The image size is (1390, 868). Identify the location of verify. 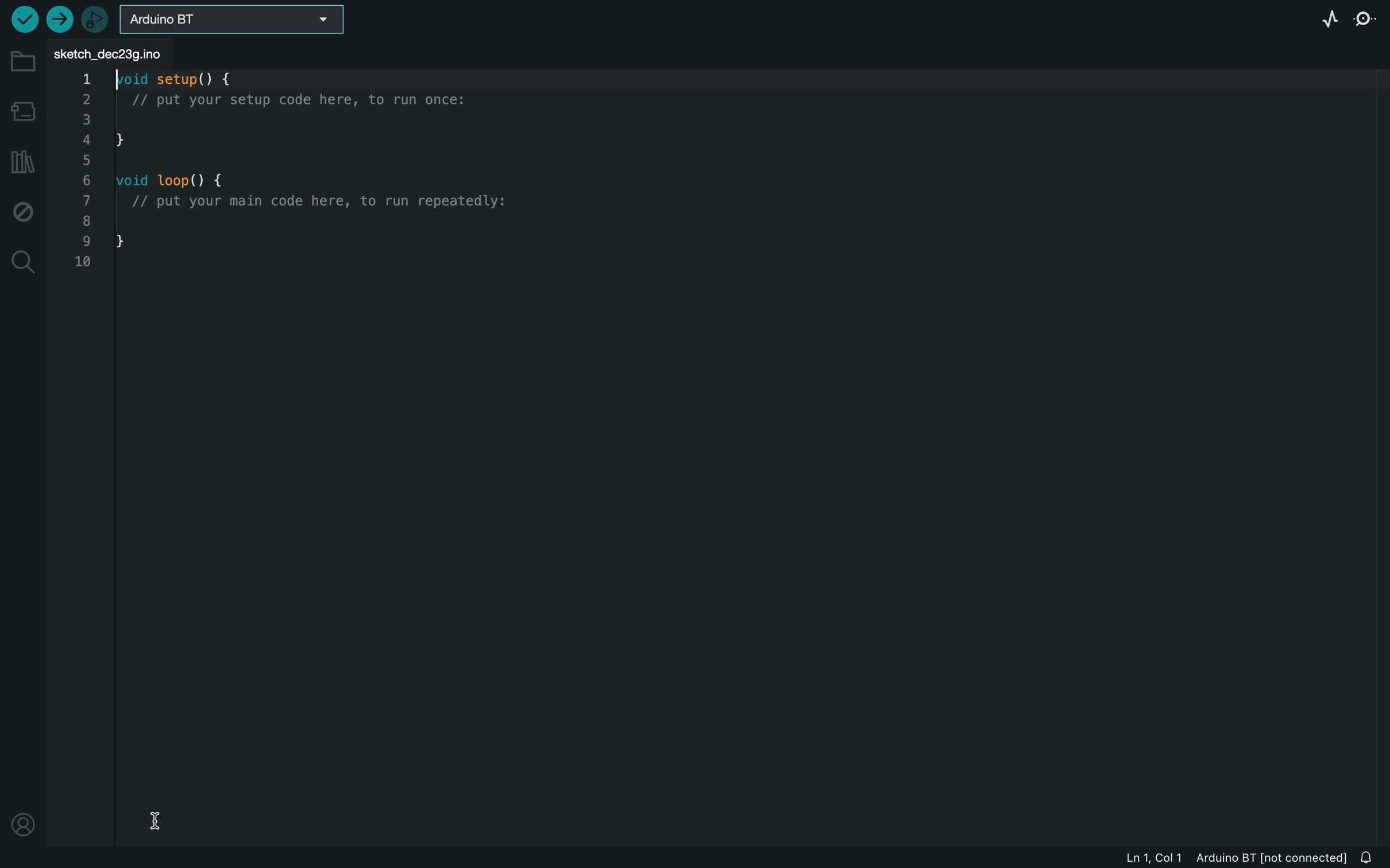
(23, 18).